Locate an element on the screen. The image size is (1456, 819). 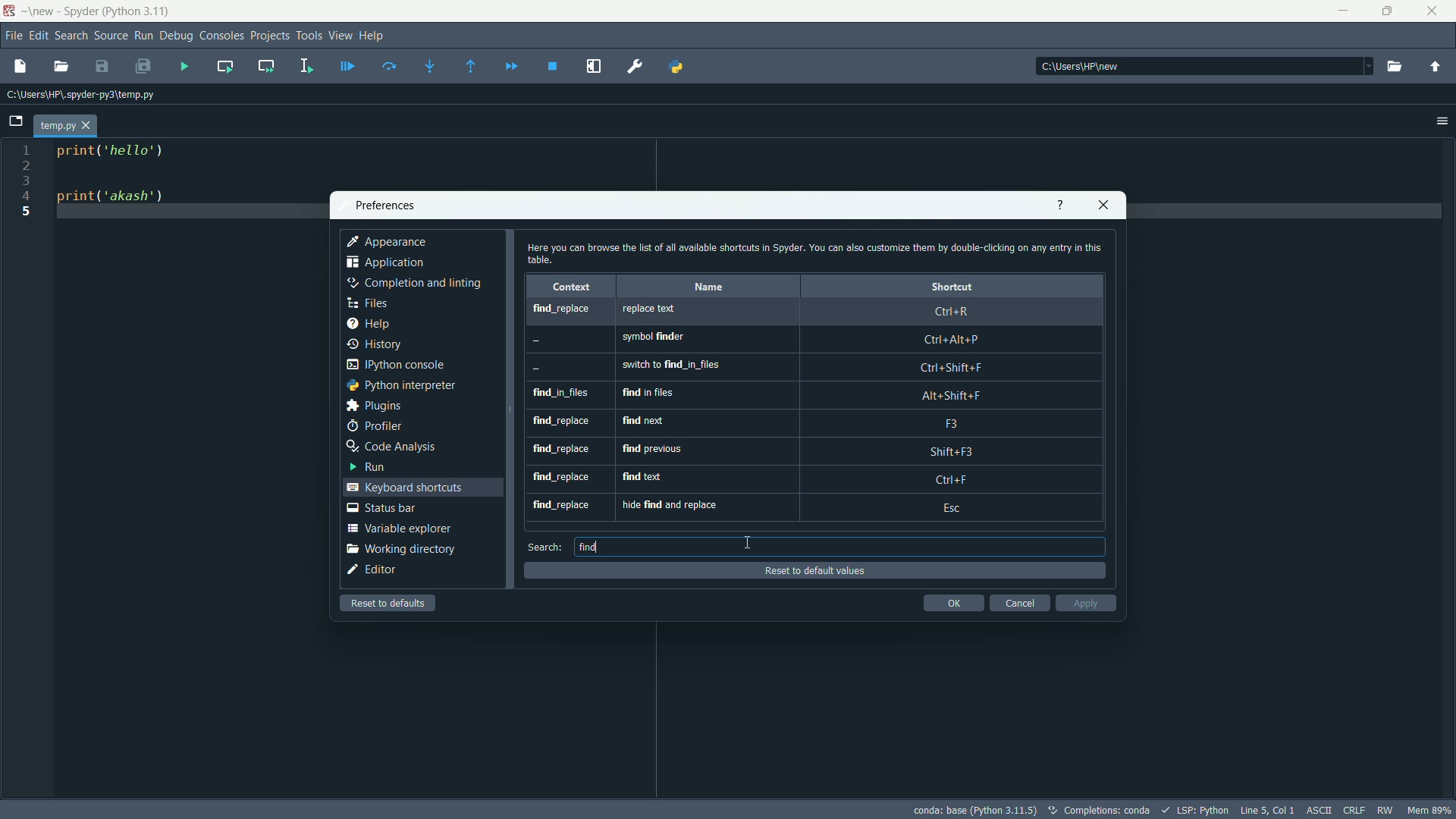
CRLF is located at coordinates (1353, 808).